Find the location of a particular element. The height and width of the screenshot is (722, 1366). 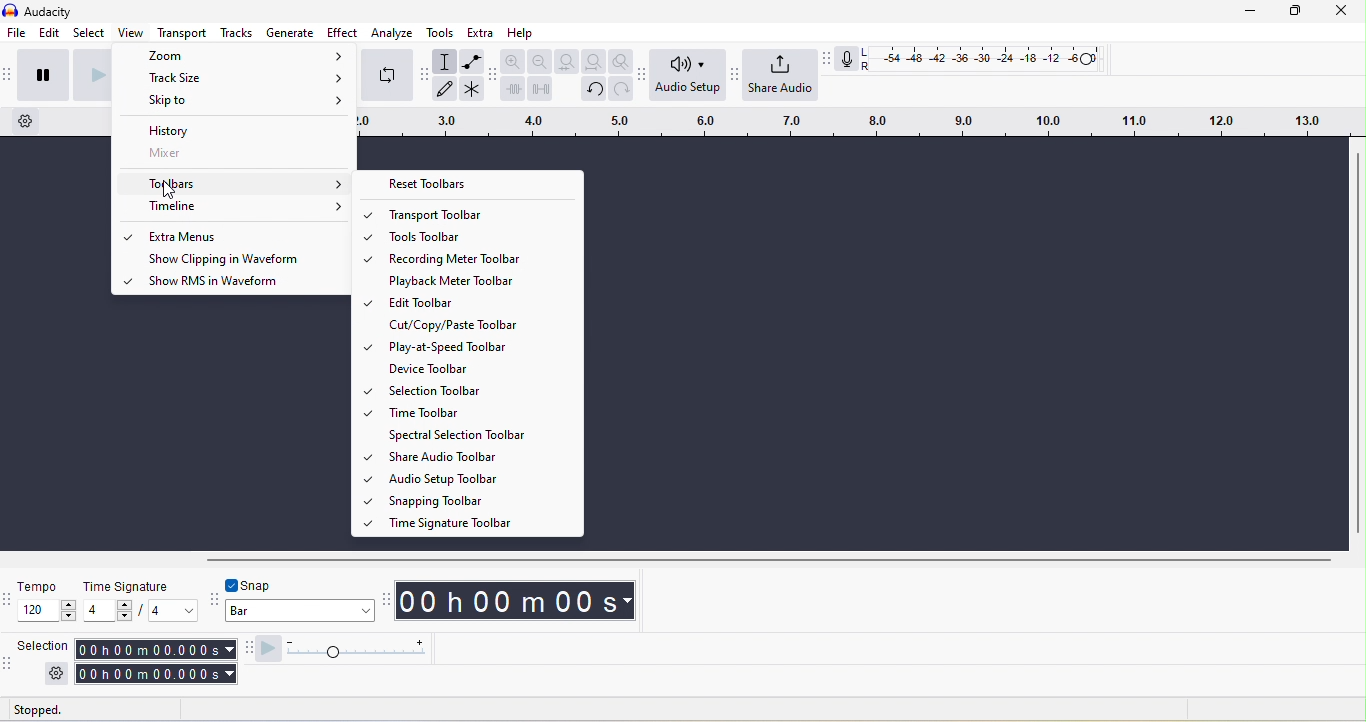

audio setup is located at coordinates (688, 74).